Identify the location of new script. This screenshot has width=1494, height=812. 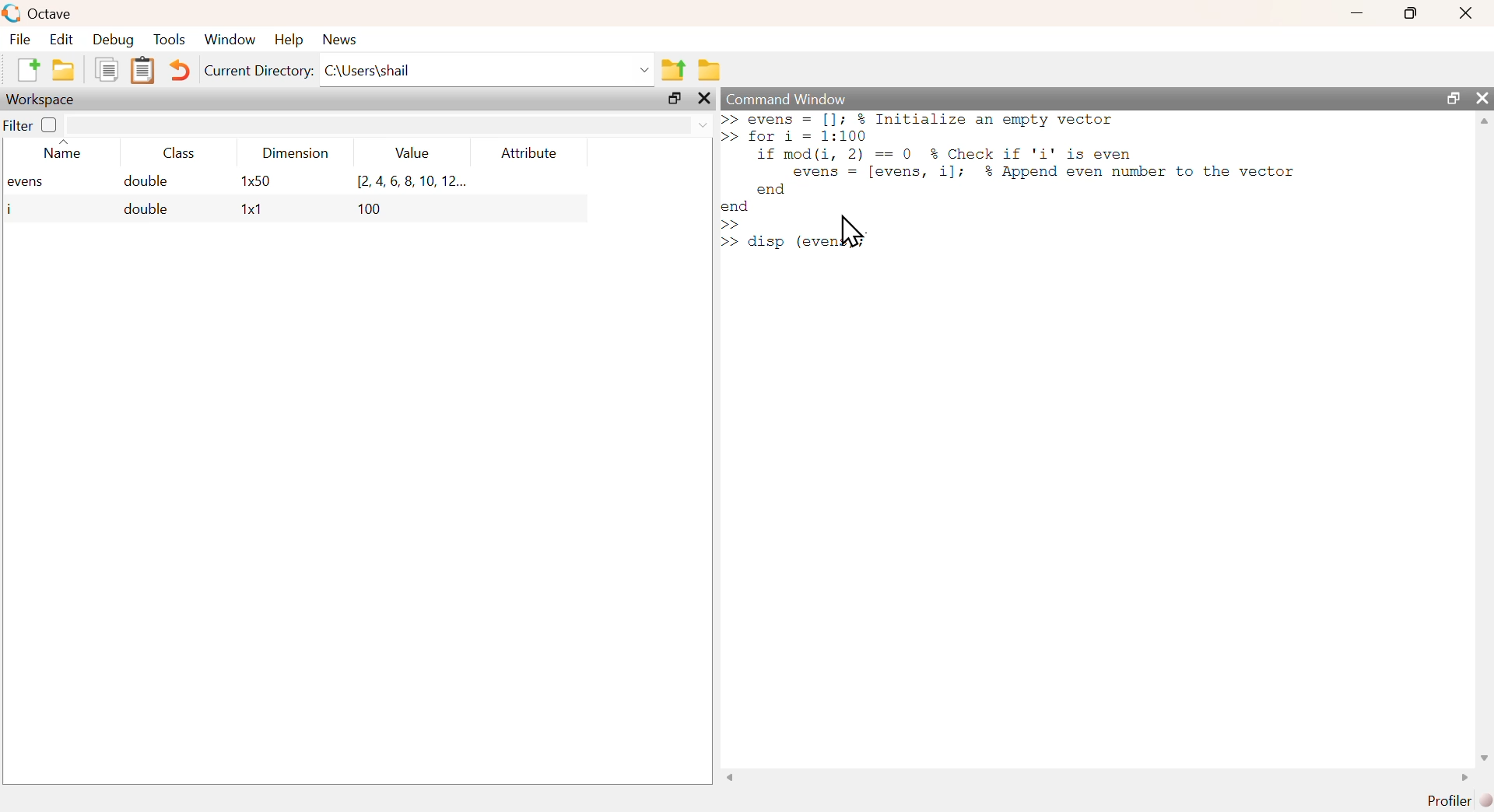
(29, 72).